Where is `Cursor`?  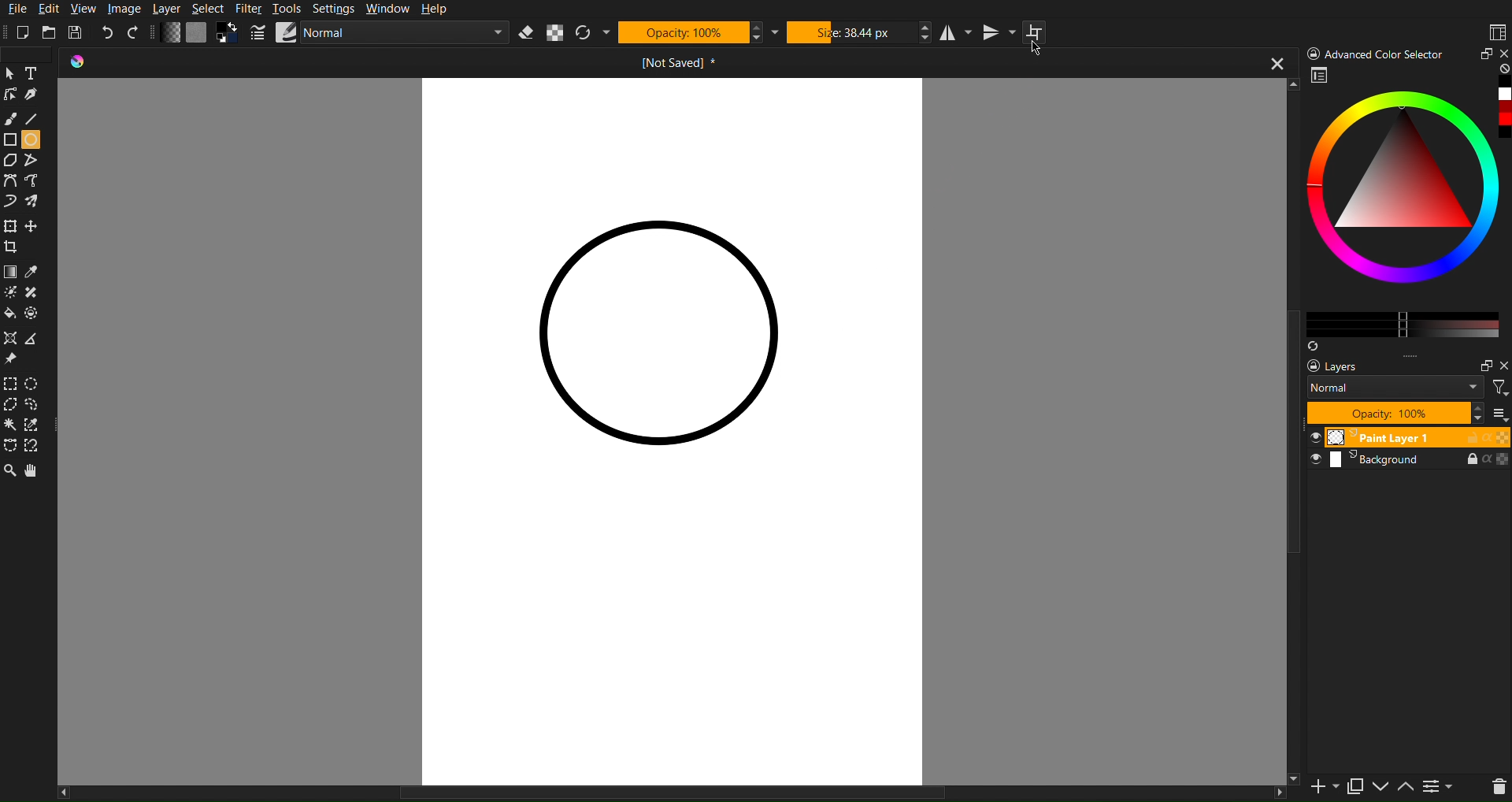
Cursor is located at coordinates (1038, 47).